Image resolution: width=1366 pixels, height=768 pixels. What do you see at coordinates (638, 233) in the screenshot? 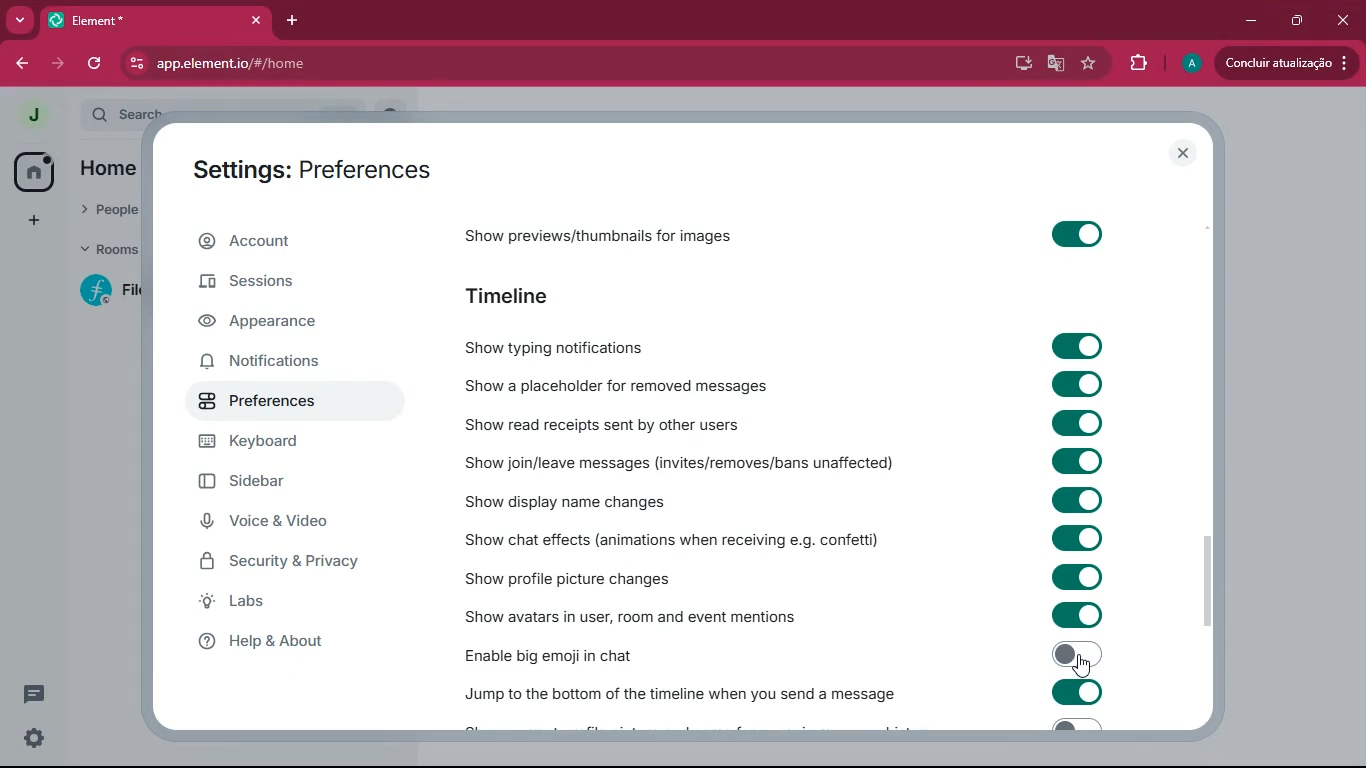
I see `previewsshow previews/thumbnails for images` at bounding box center [638, 233].